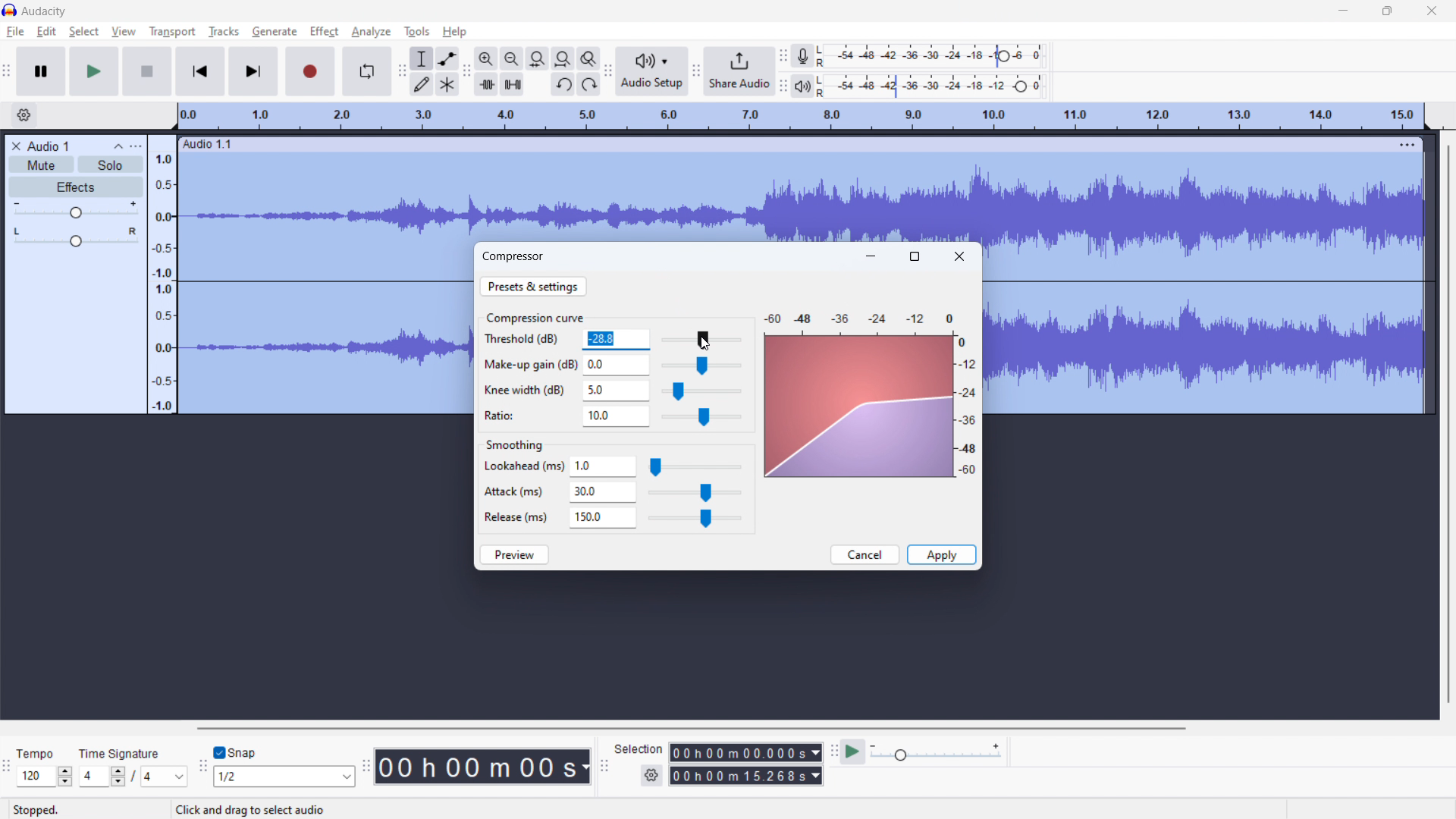 This screenshot has height=819, width=1456. Describe the element at coordinates (708, 344) in the screenshot. I see `cursor` at that location.